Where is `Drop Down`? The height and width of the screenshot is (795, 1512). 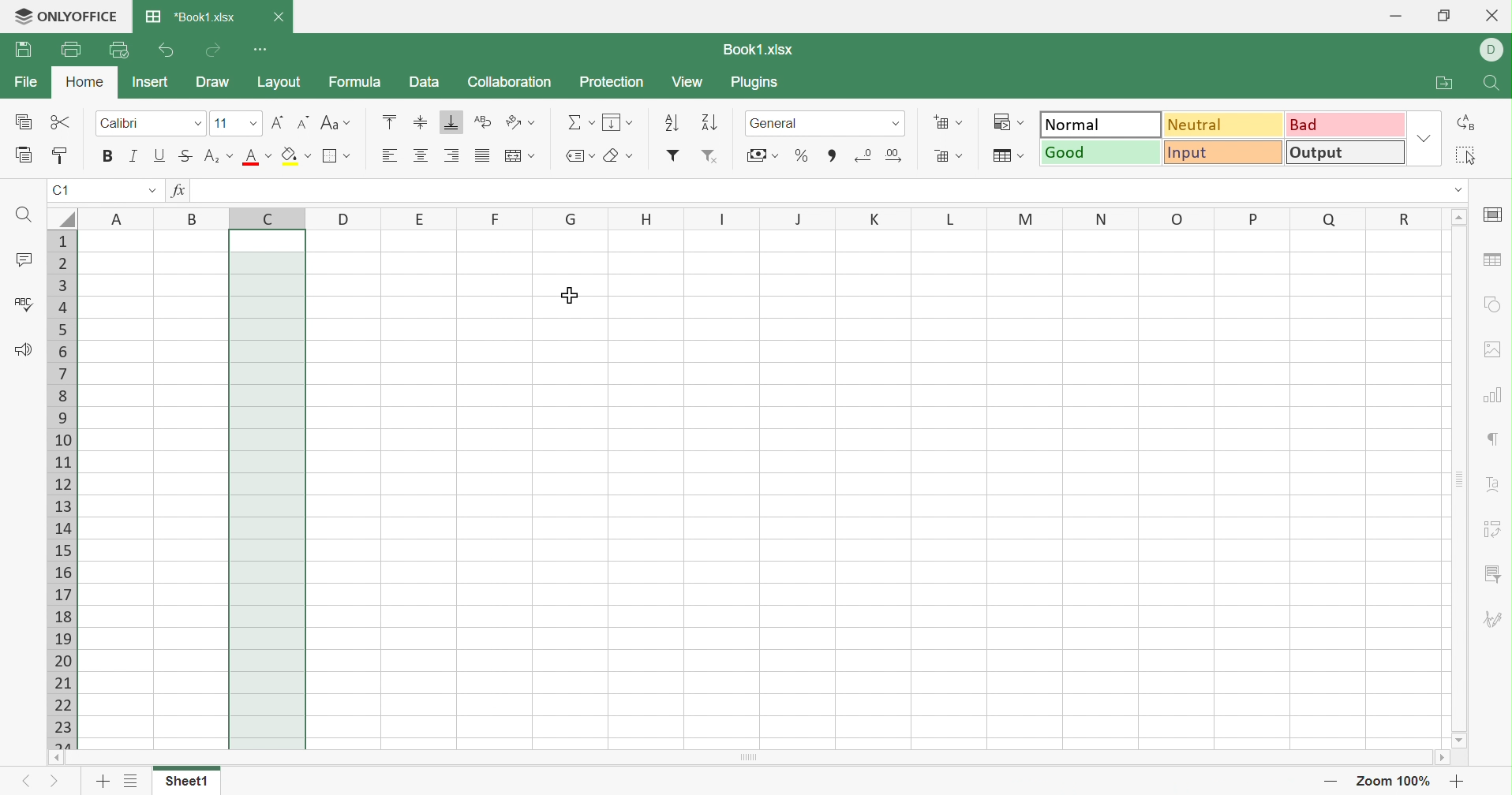 Drop Down is located at coordinates (594, 155).